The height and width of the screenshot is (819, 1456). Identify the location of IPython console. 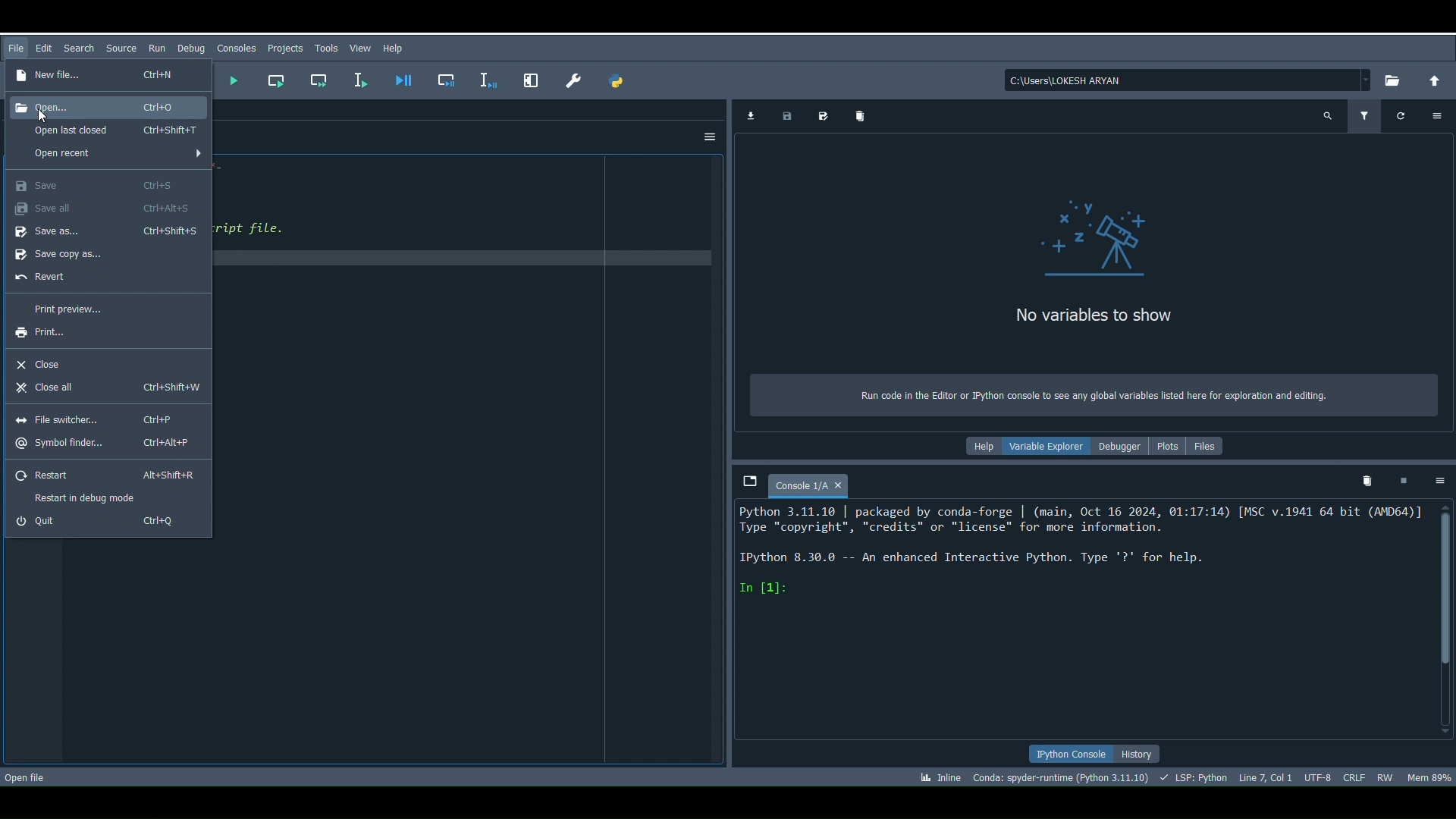
(1064, 755).